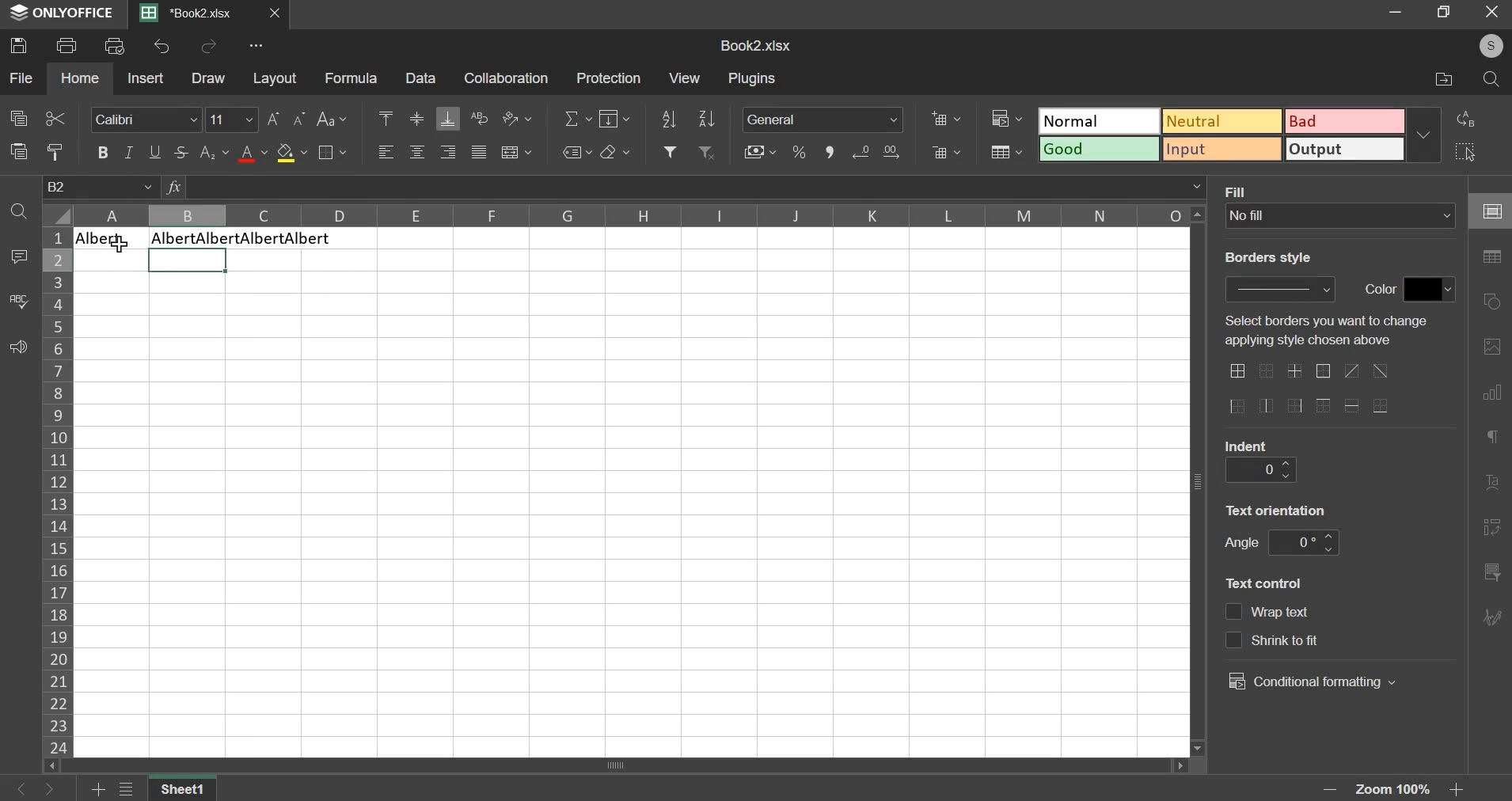 This screenshot has width=1512, height=801. Describe the element at coordinates (1496, 440) in the screenshot. I see `paragraph settings` at that location.